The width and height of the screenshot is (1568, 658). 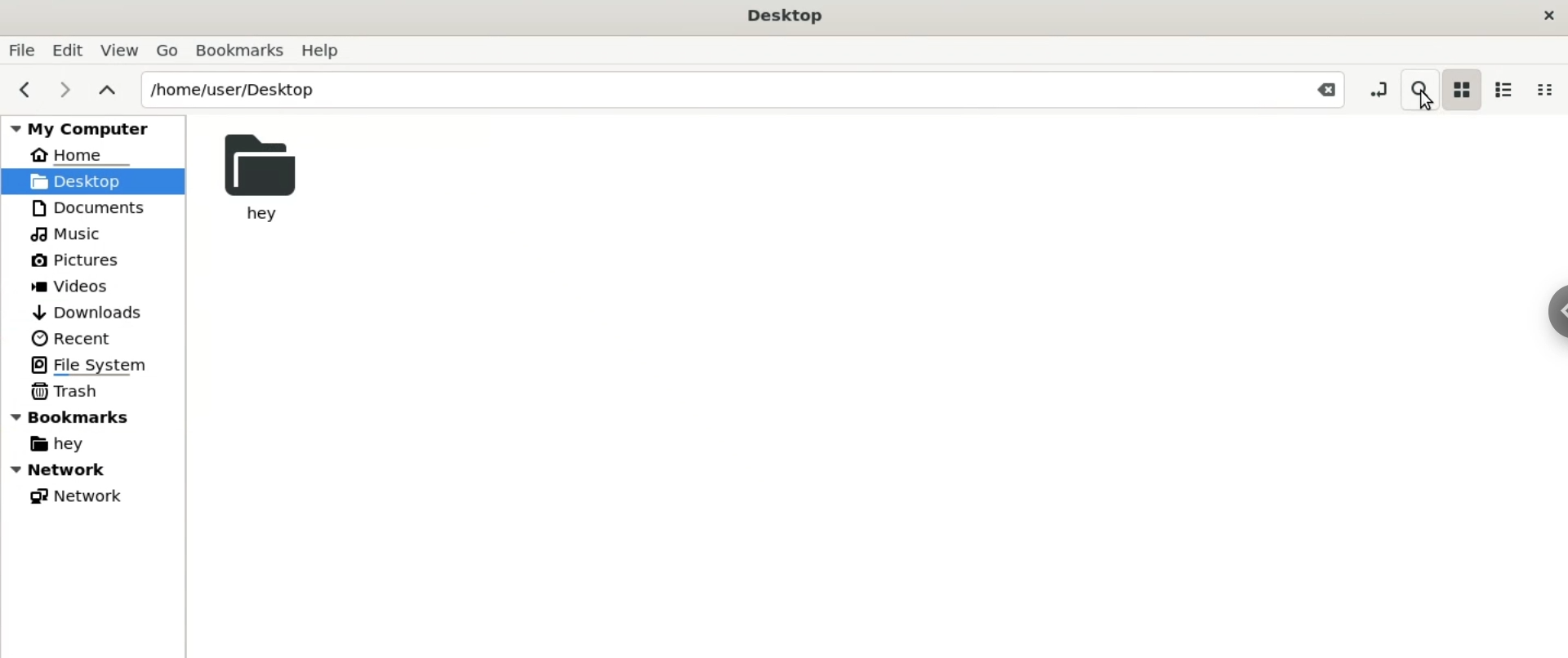 What do you see at coordinates (65, 48) in the screenshot?
I see `Edit` at bounding box center [65, 48].